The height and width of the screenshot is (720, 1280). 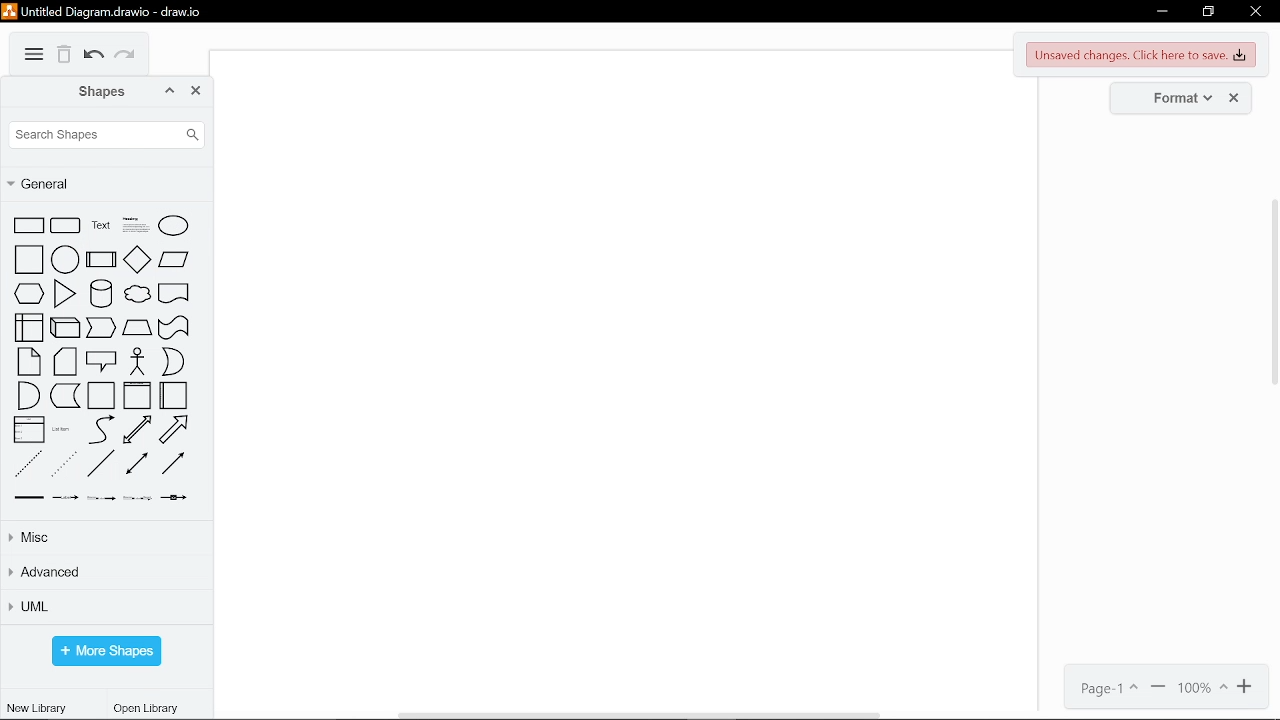 I want to click on hexagon, so click(x=28, y=295).